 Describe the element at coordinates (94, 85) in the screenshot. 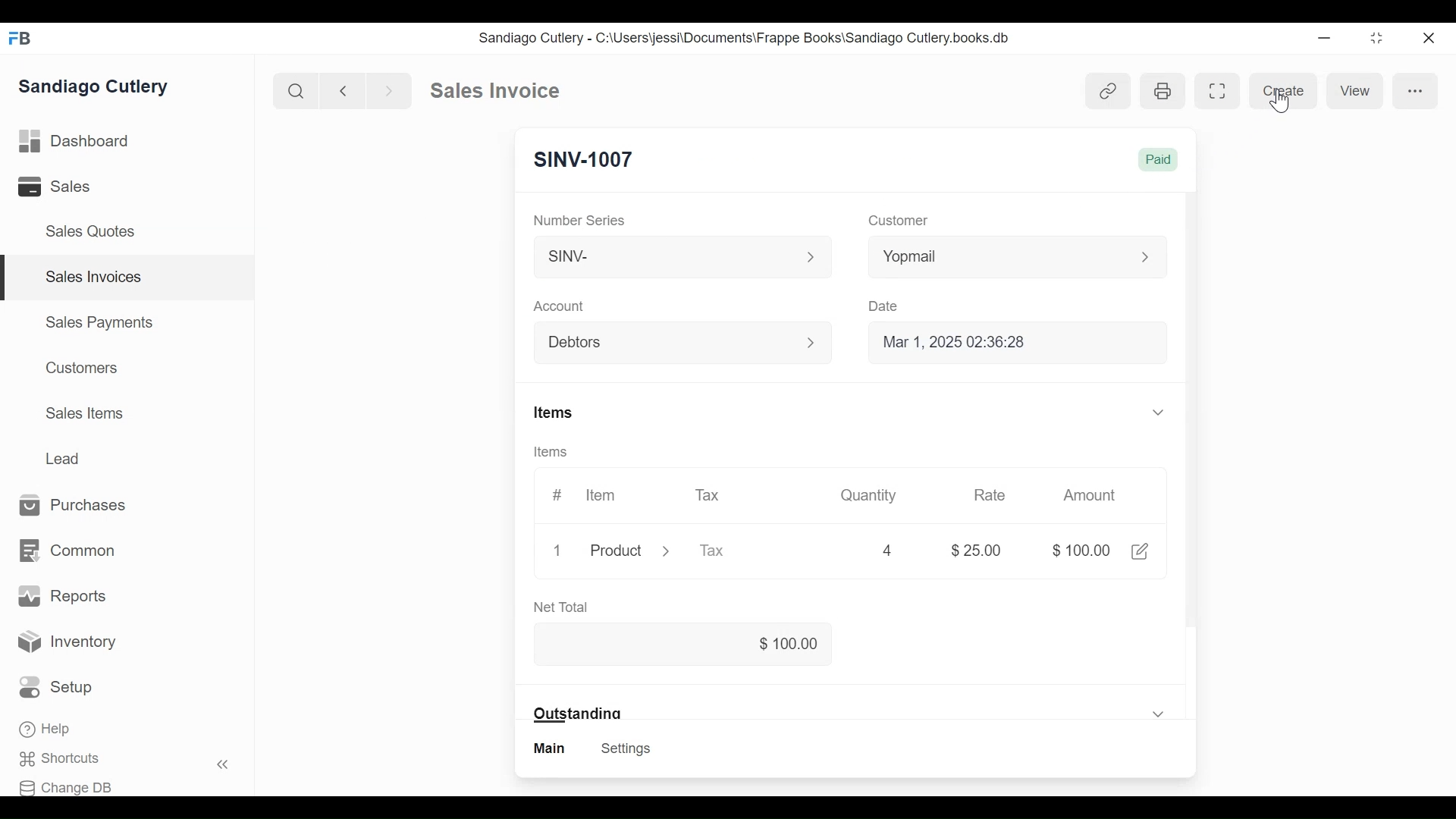

I see `Sandiago Cutlery` at that location.